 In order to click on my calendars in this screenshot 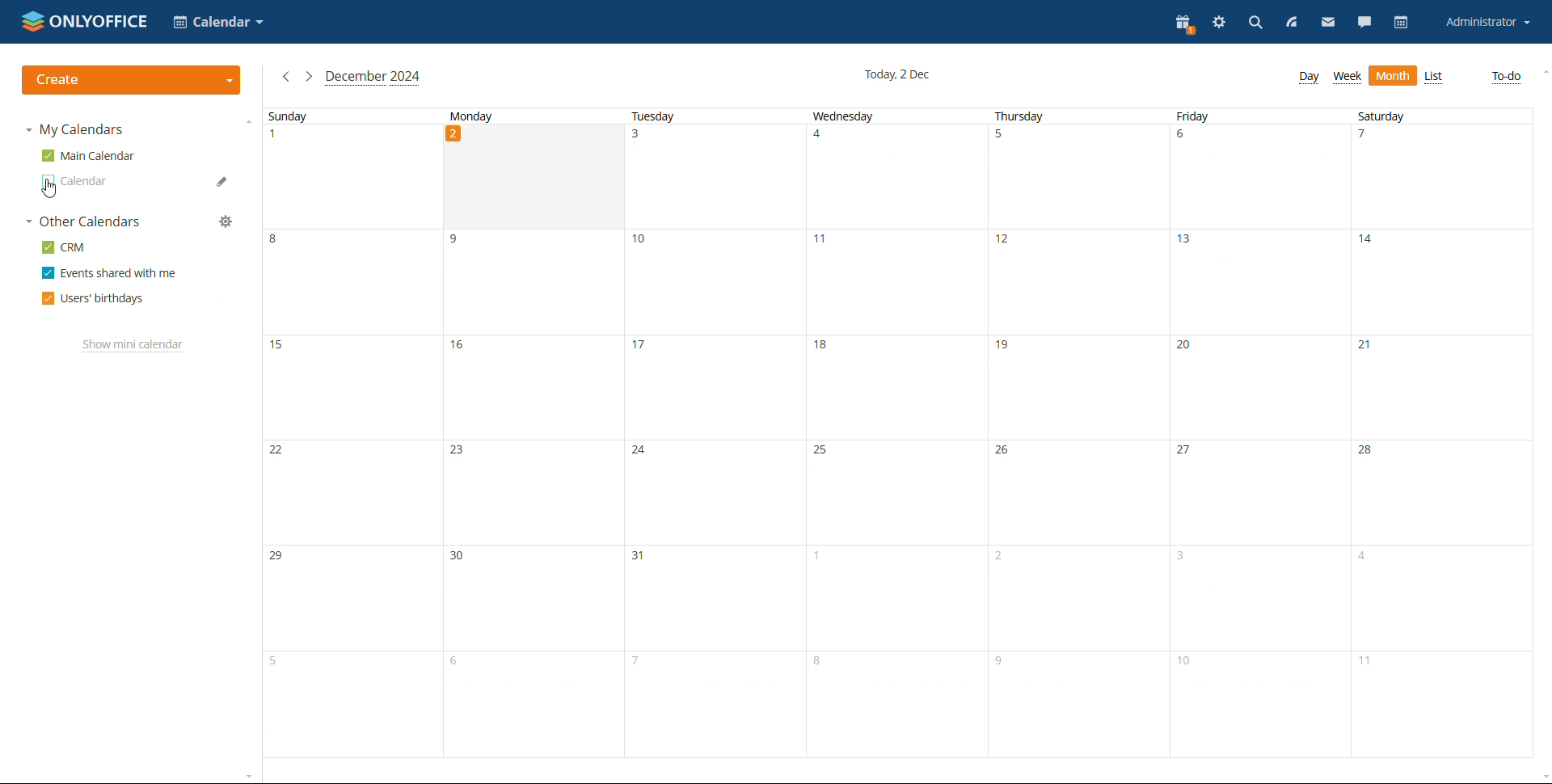, I will do `click(77, 130)`.